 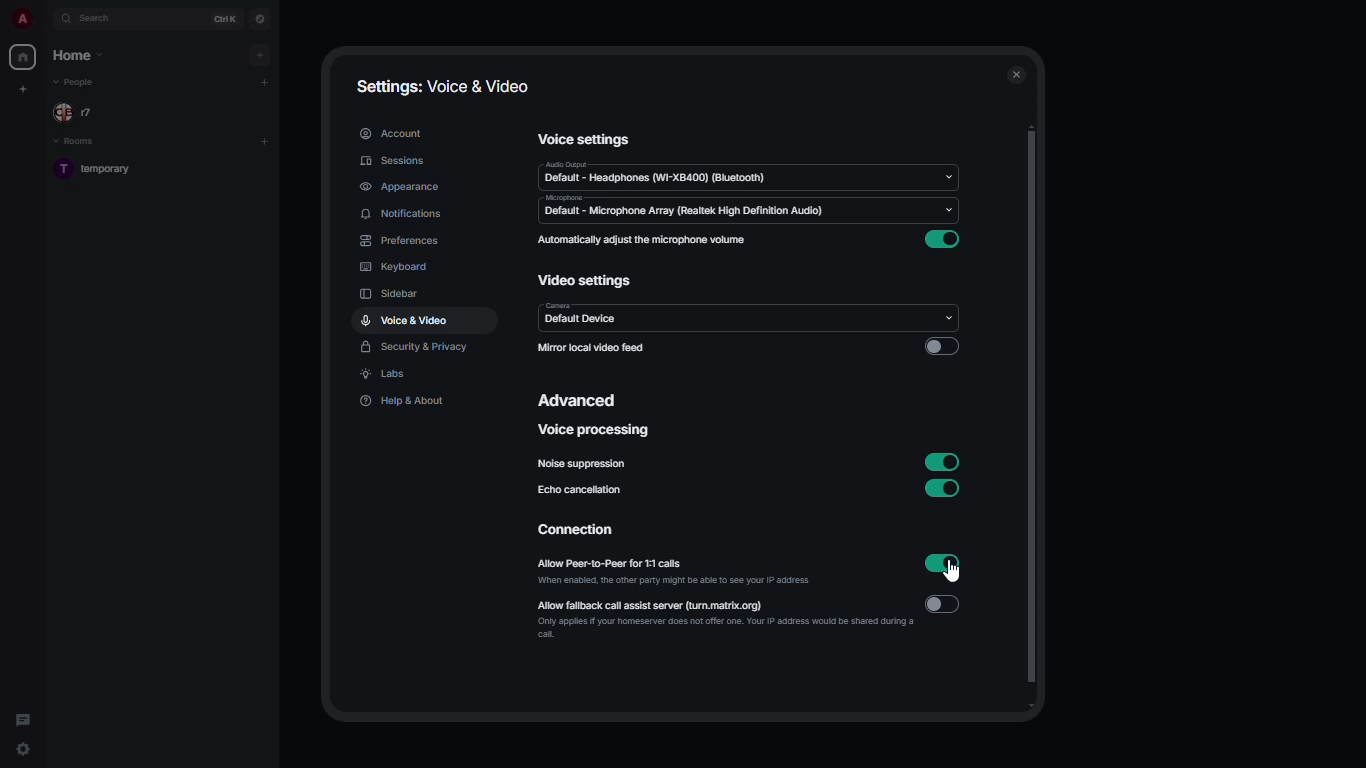 What do you see at coordinates (595, 348) in the screenshot?
I see `mirror local video feed` at bounding box center [595, 348].